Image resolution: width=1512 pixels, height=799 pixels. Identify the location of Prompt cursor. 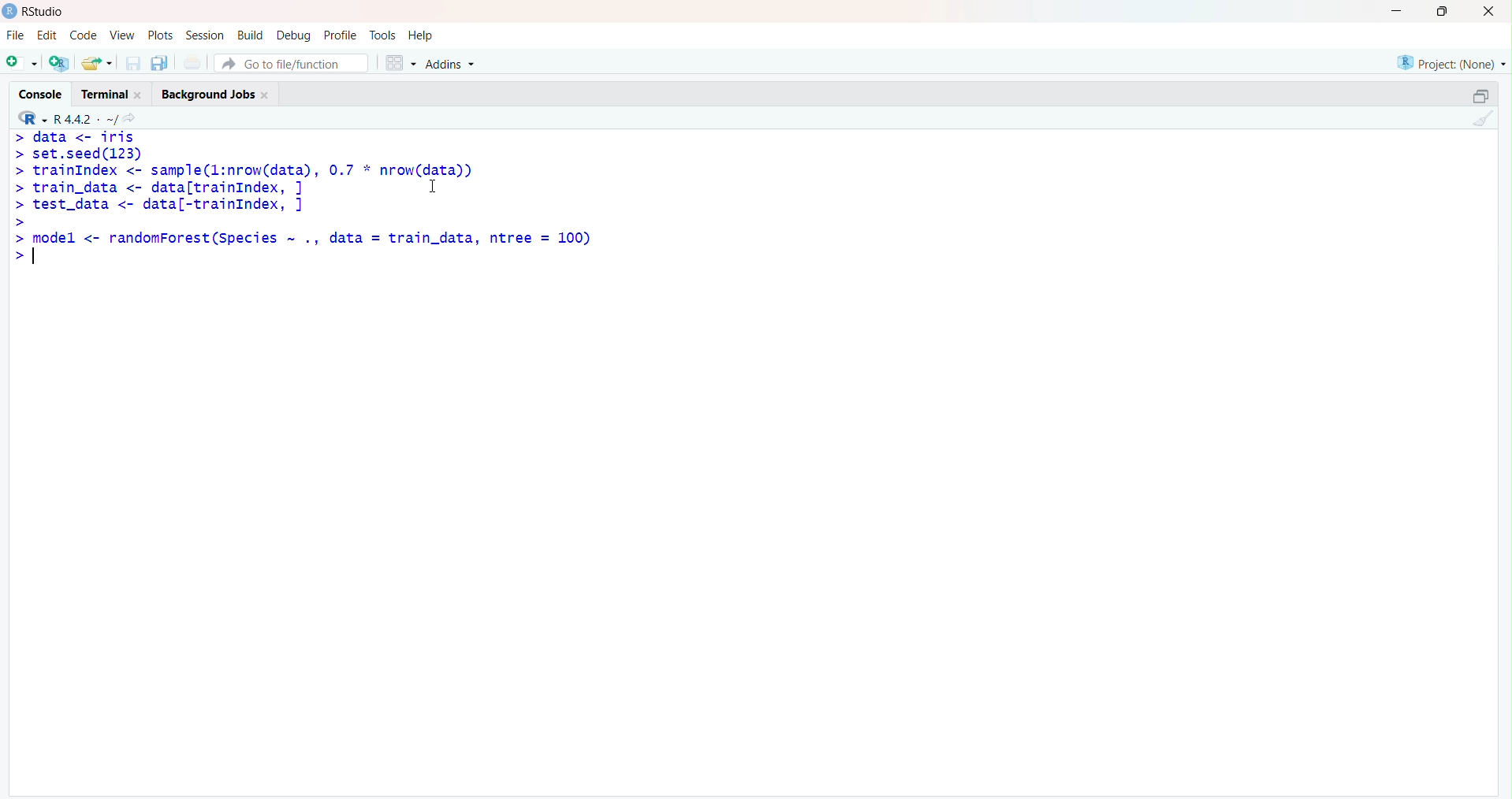
(18, 137).